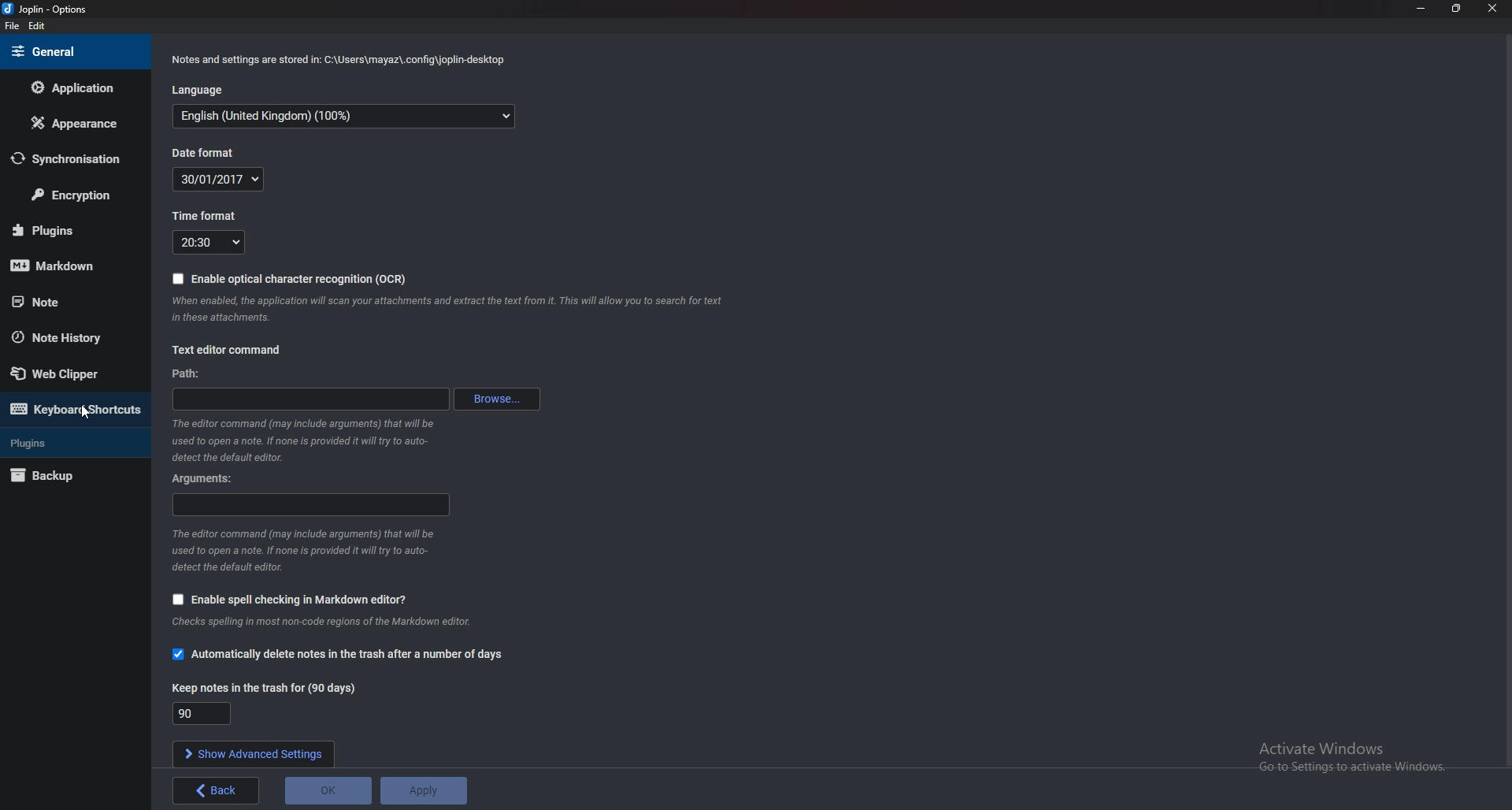 The image size is (1512, 810). Describe the element at coordinates (255, 755) in the screenshot. I see `Show advanced settings` at that location.